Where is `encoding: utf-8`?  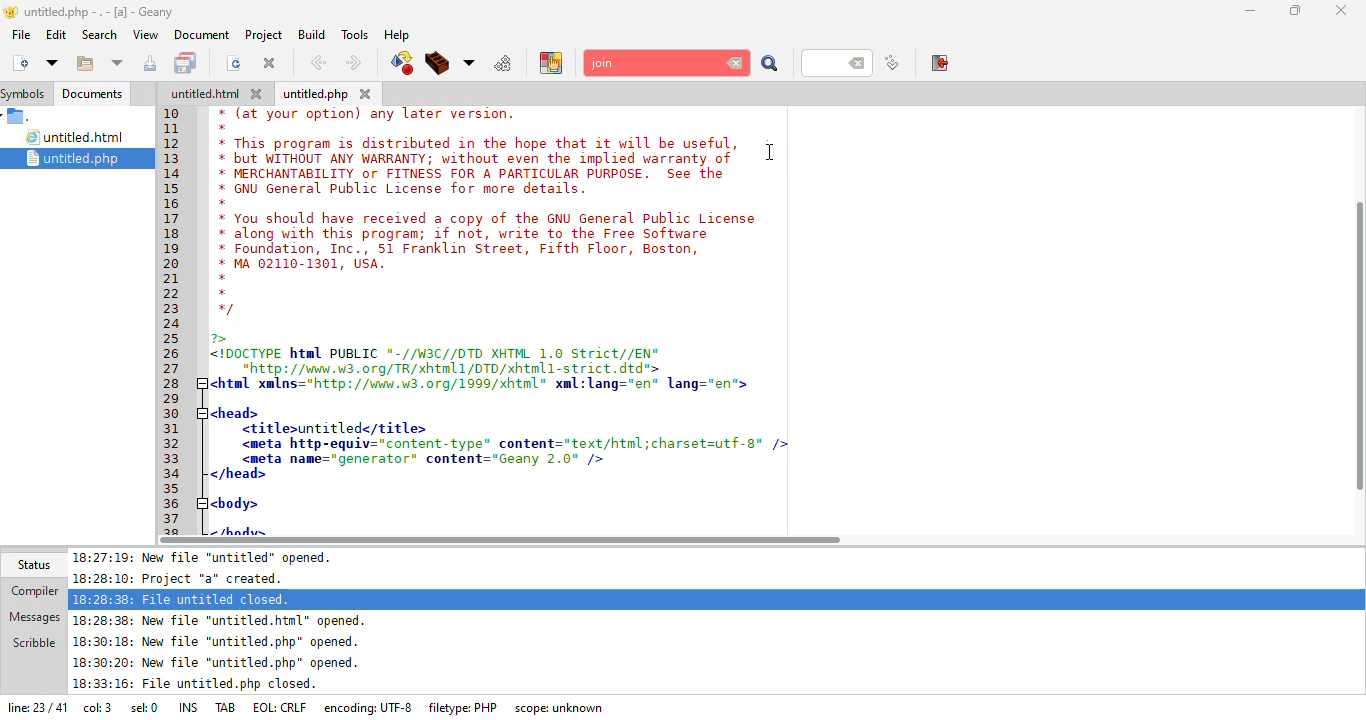 encoding: utf-8 is located at coordinates (372, 707).